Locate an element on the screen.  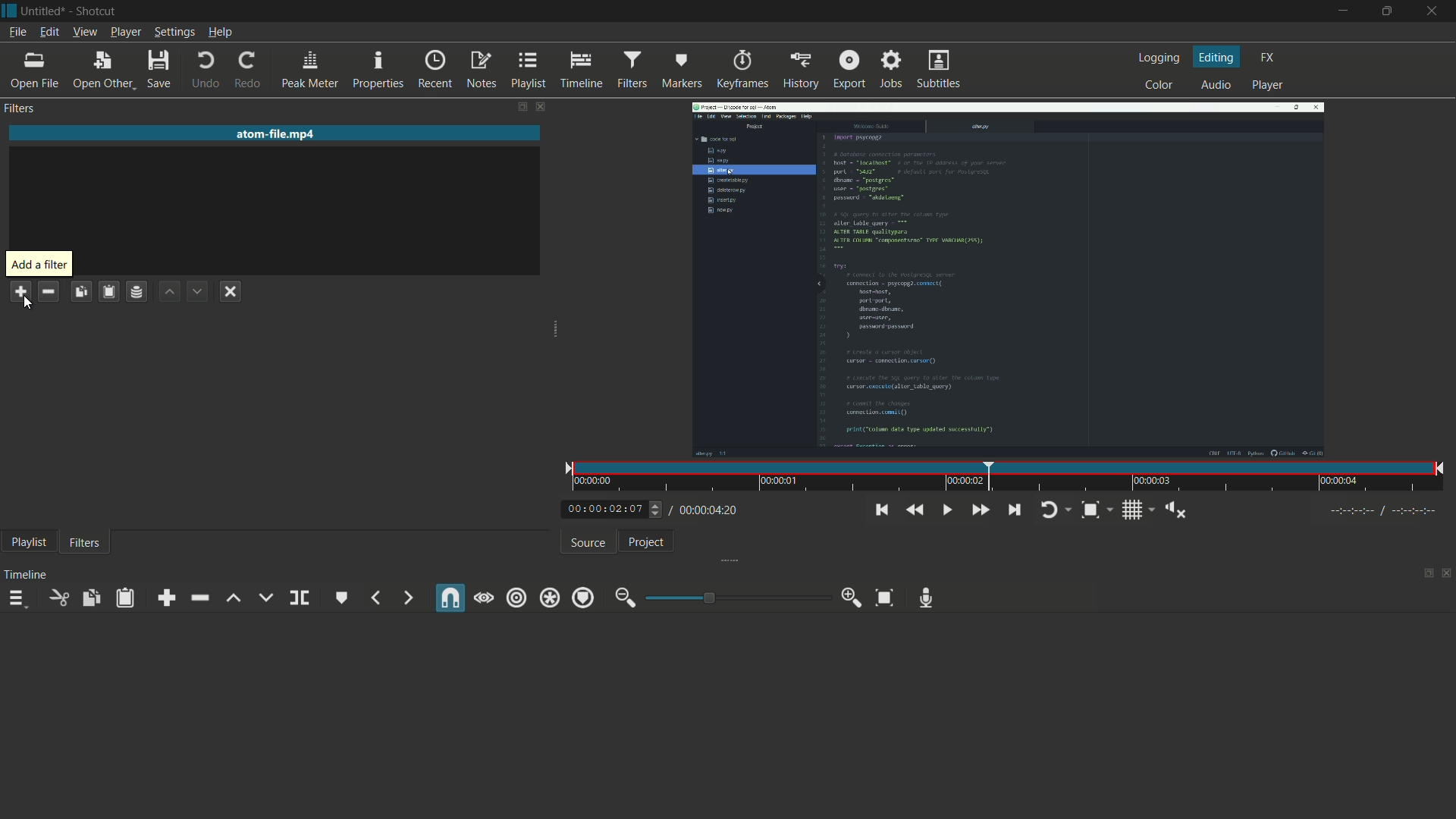
filters is located at coordinates (86, 541).